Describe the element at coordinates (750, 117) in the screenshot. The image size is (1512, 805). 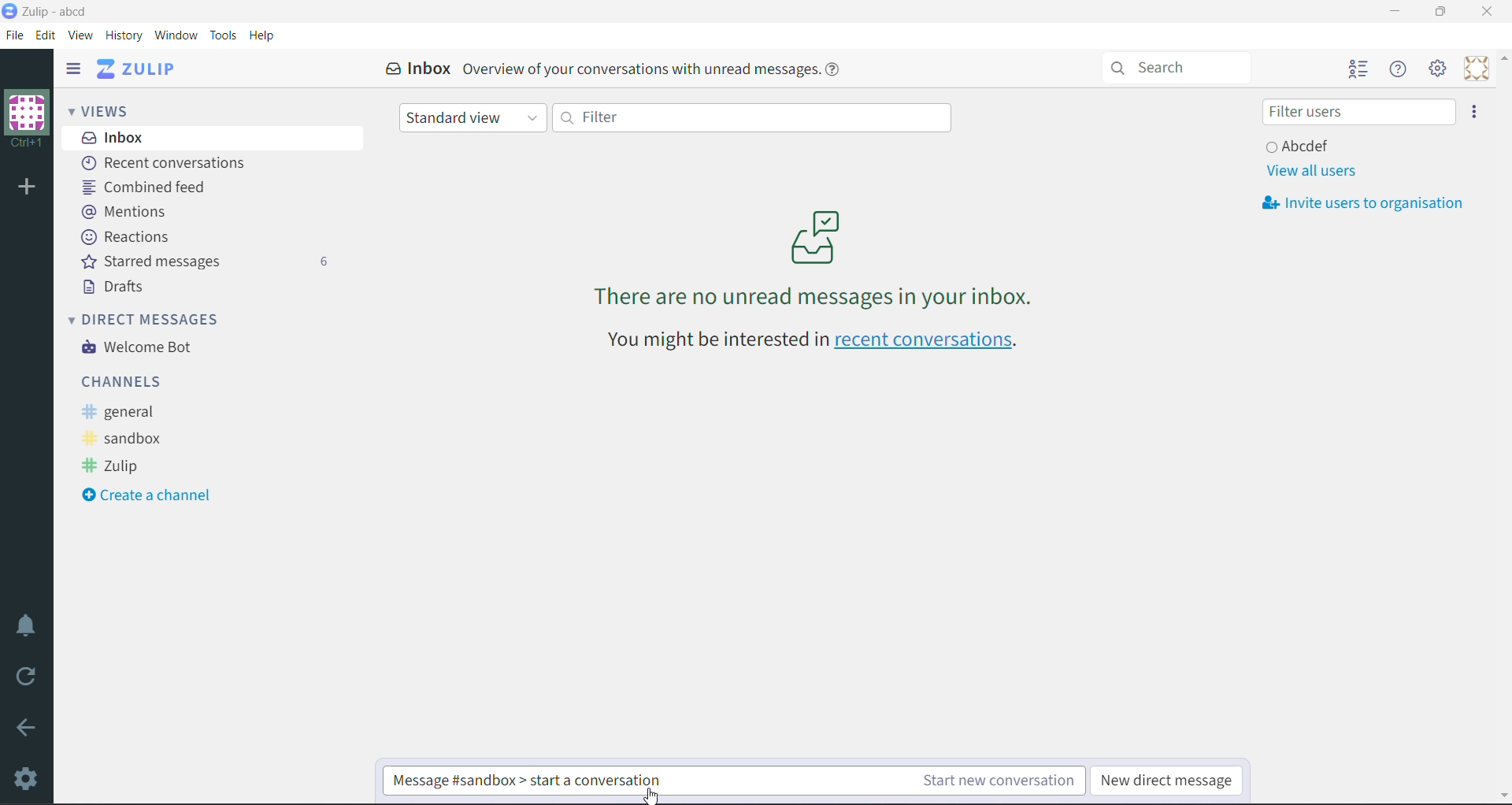
I see `Filter` at that location.